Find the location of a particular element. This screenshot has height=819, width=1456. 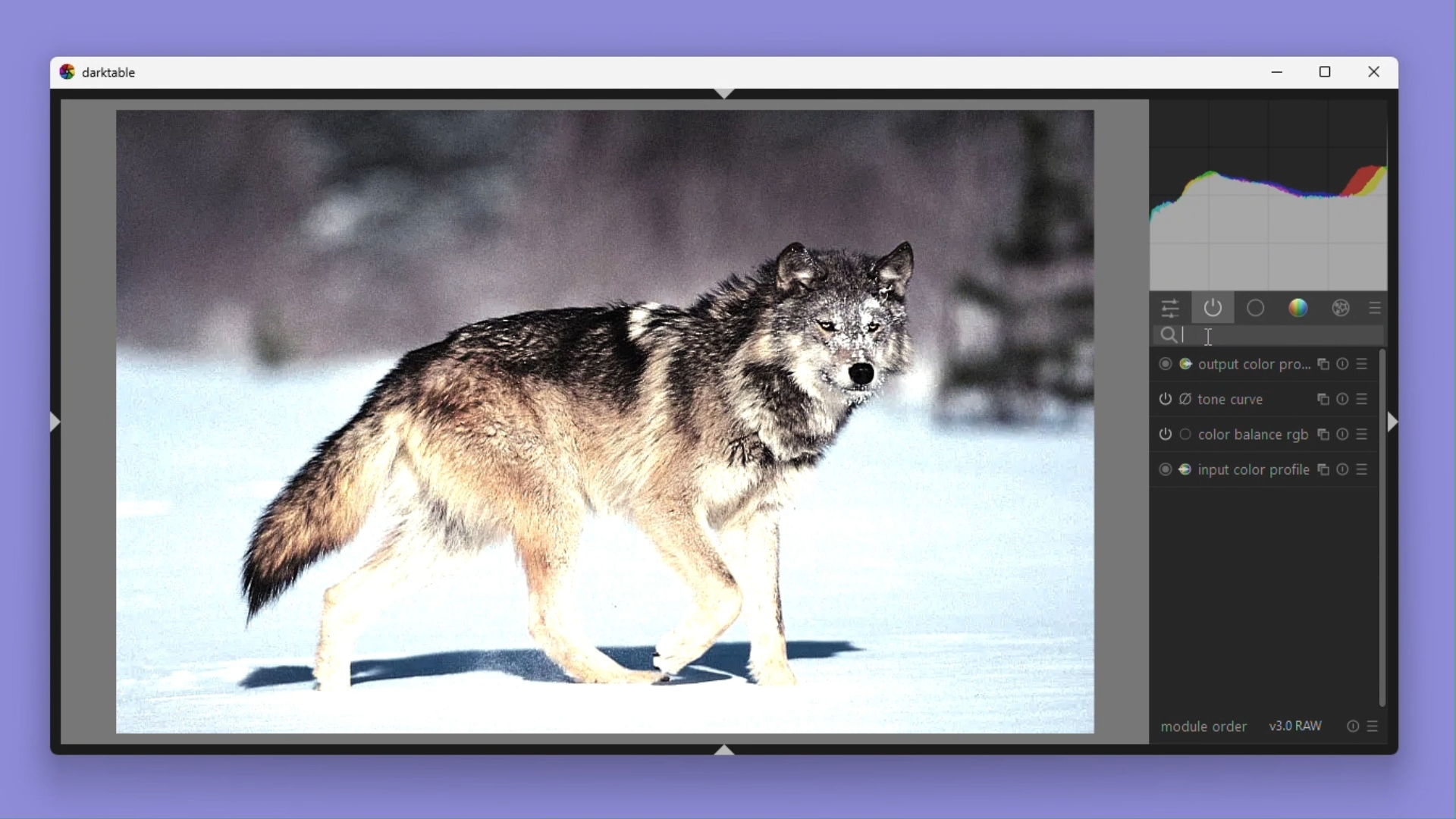

Preset is located at coordinates (1365, 469).